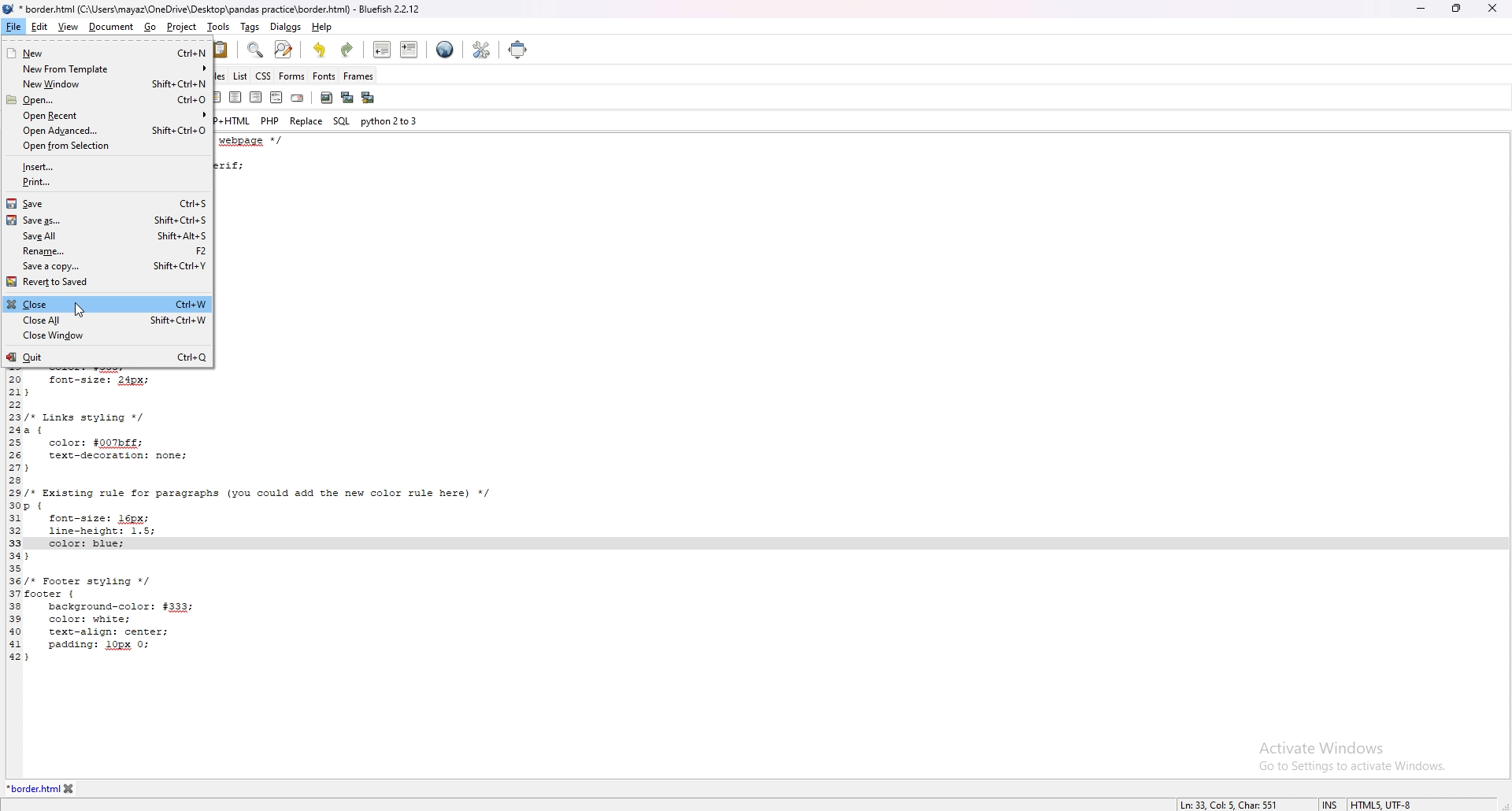  What do you see at coordinates (109, 357) in the screenshot?
I see `quit` at bounding box center [109, 357].